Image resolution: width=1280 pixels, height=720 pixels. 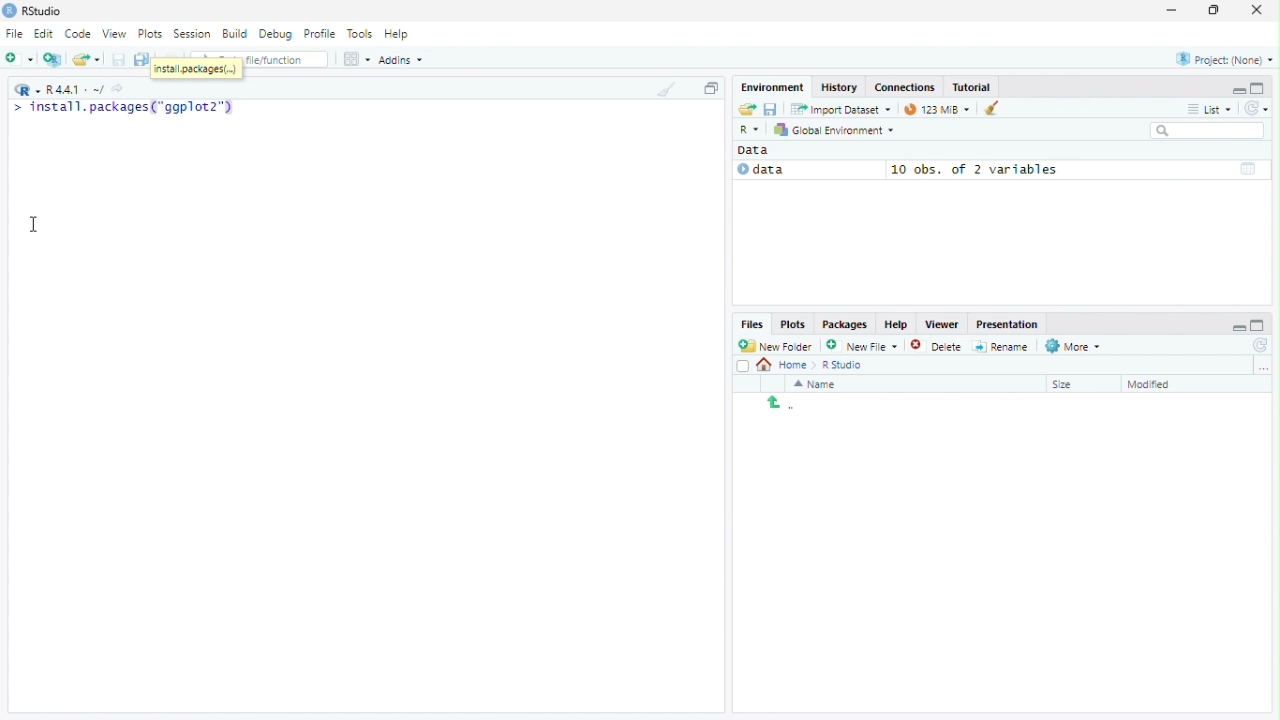 What do you see at coordinates (193, 33) in the screenshot?
I see `Session` at bounding box center [193, 33].